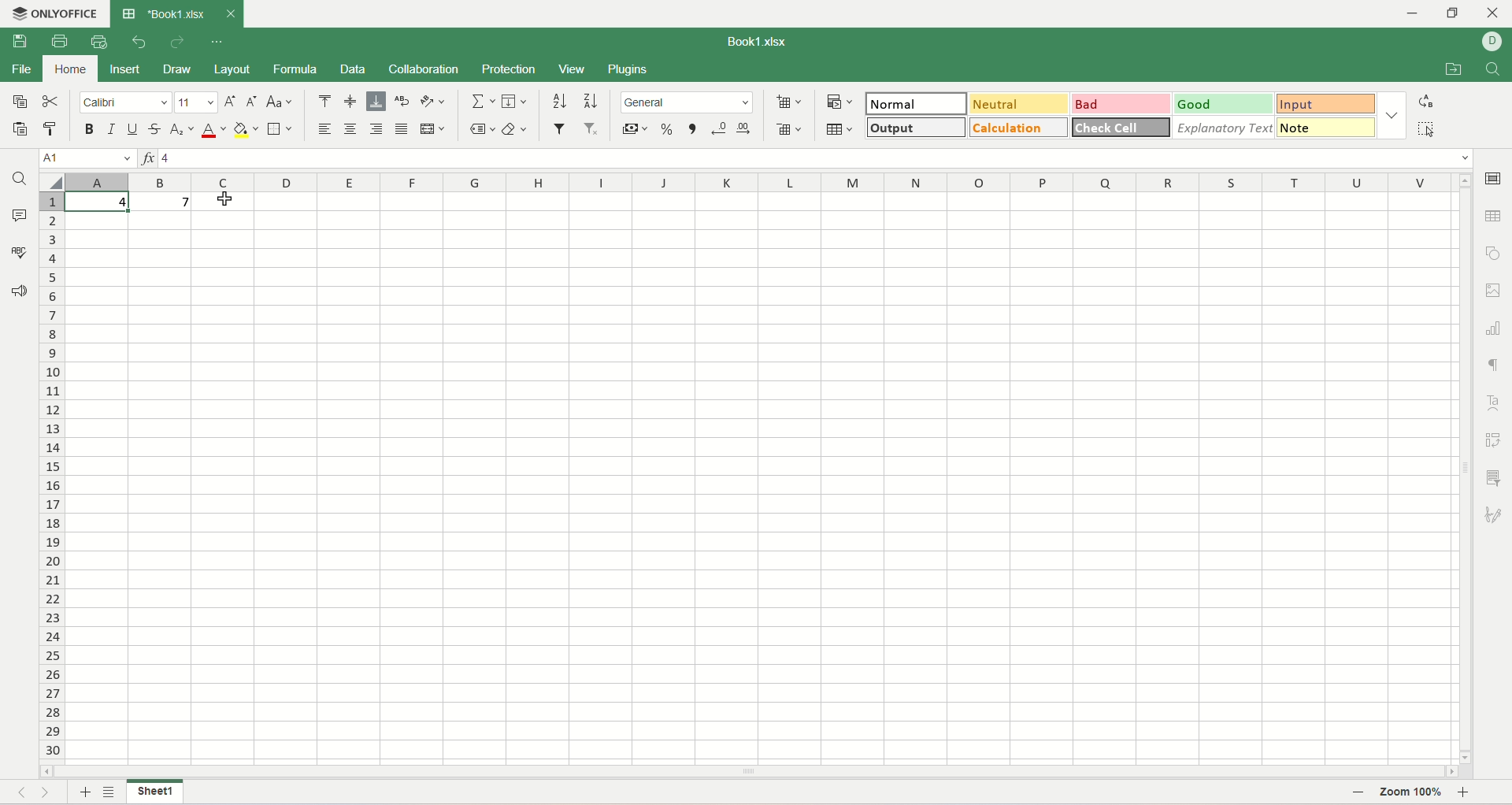  Describe the element at coordinates (791, 99) in the screenshot. I see `insert cell` at that location.